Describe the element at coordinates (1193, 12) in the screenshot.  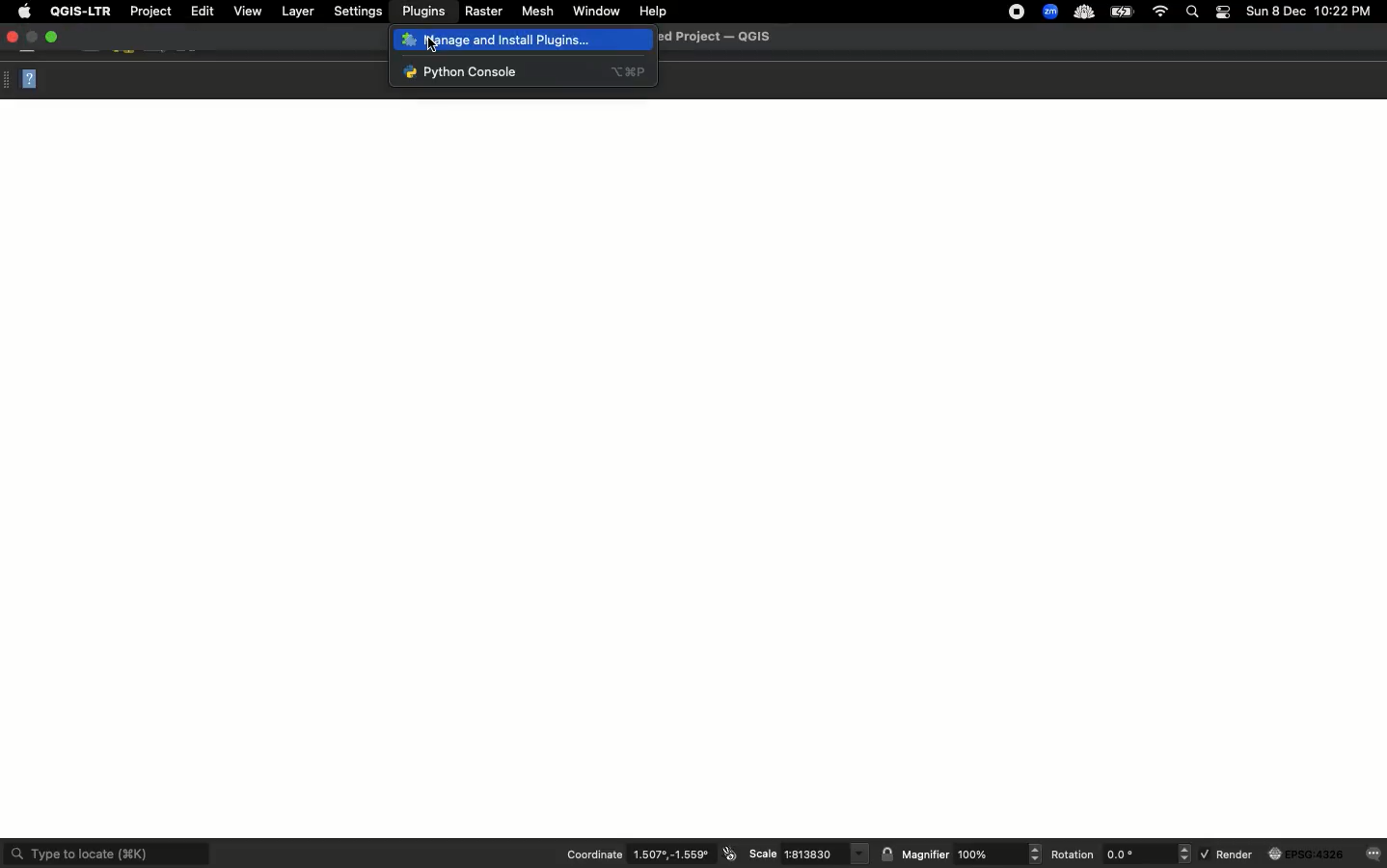
I see `Search` at that location.